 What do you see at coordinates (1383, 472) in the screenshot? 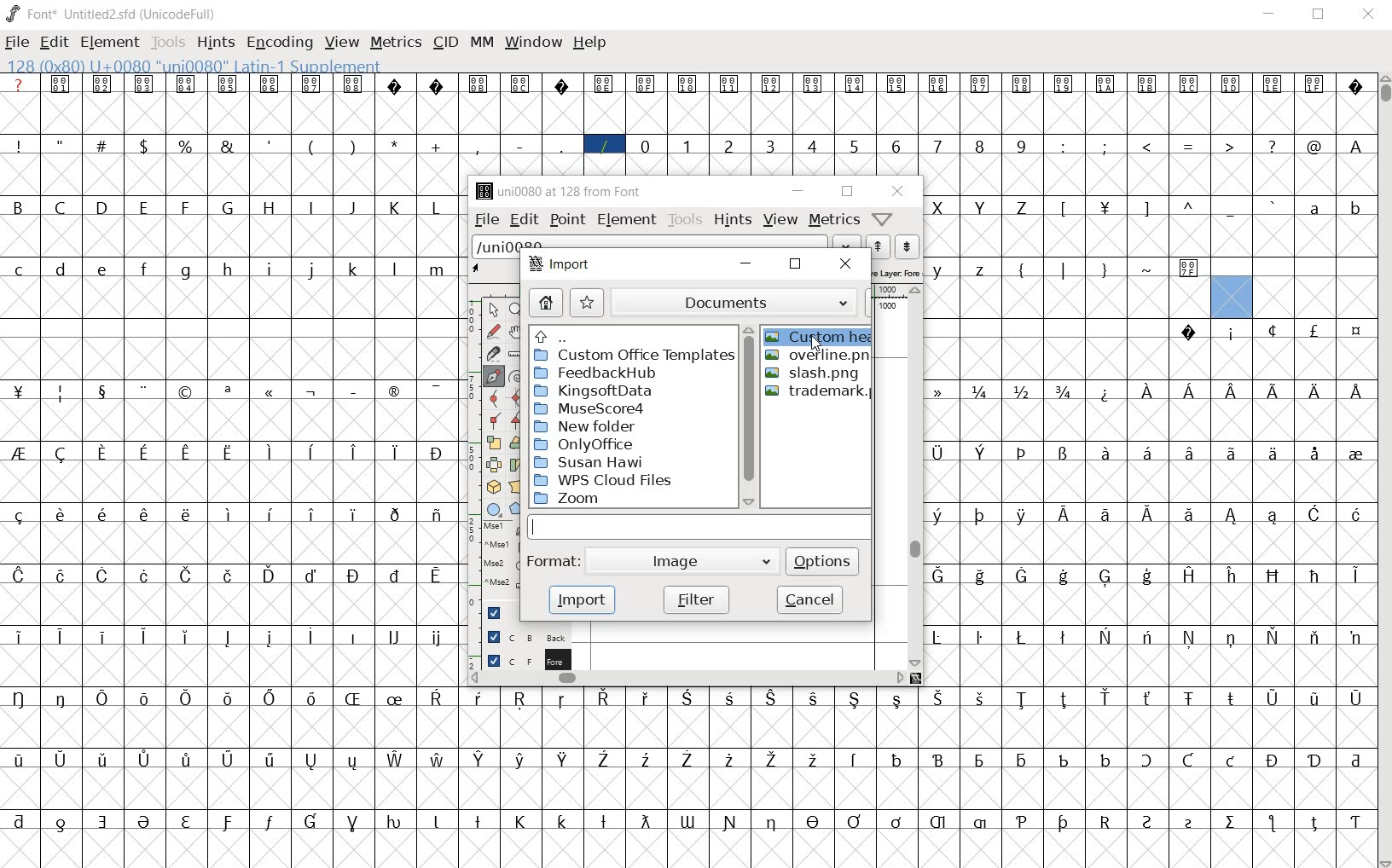
I see `SCROLLBAR` at bounding box center [1383, 472].